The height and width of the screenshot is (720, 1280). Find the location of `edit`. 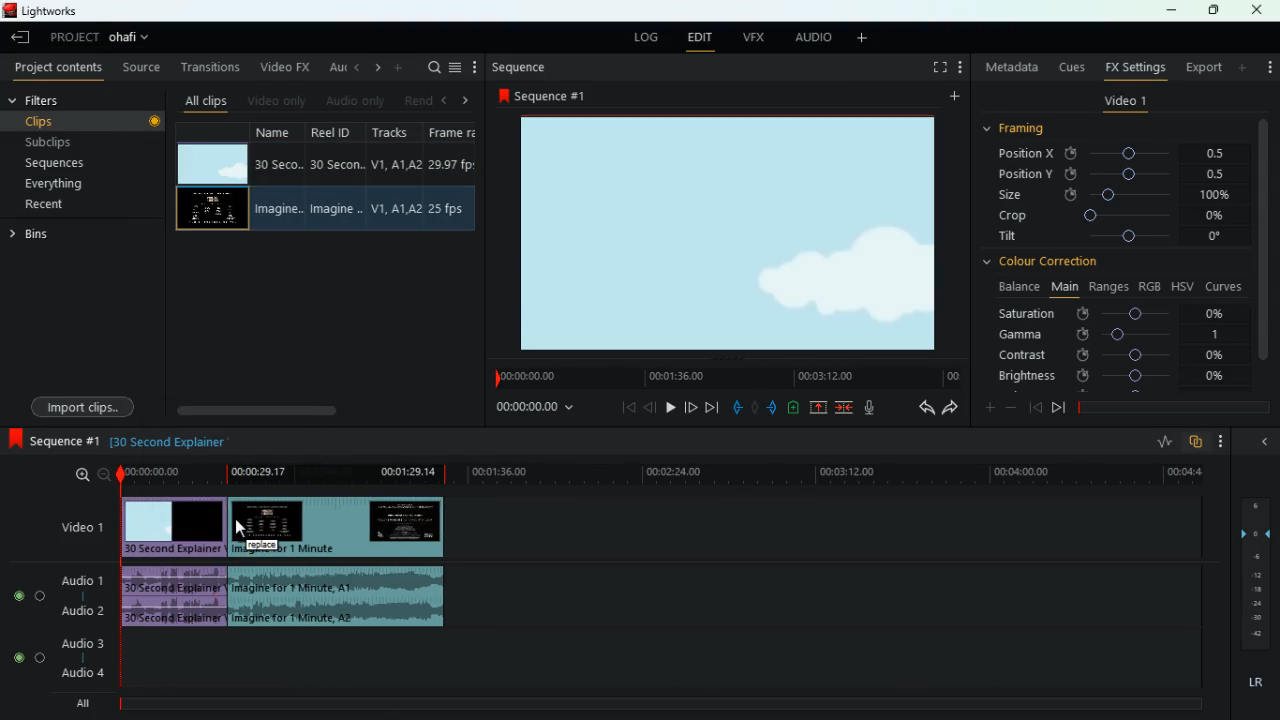

edit is located at coordinates (699, 39).